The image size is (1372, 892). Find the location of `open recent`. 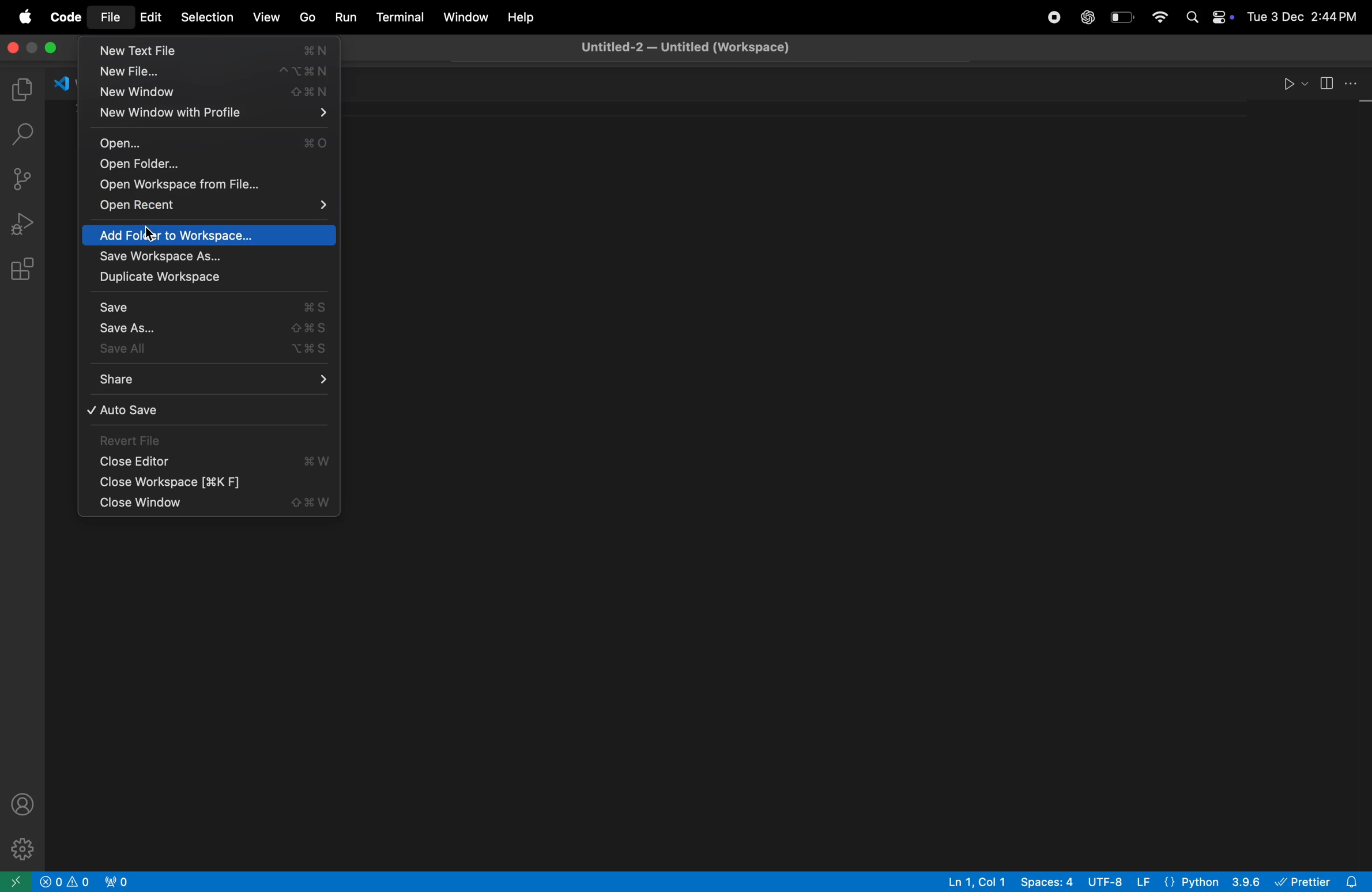

open recent is located at coordinates (210, 207).